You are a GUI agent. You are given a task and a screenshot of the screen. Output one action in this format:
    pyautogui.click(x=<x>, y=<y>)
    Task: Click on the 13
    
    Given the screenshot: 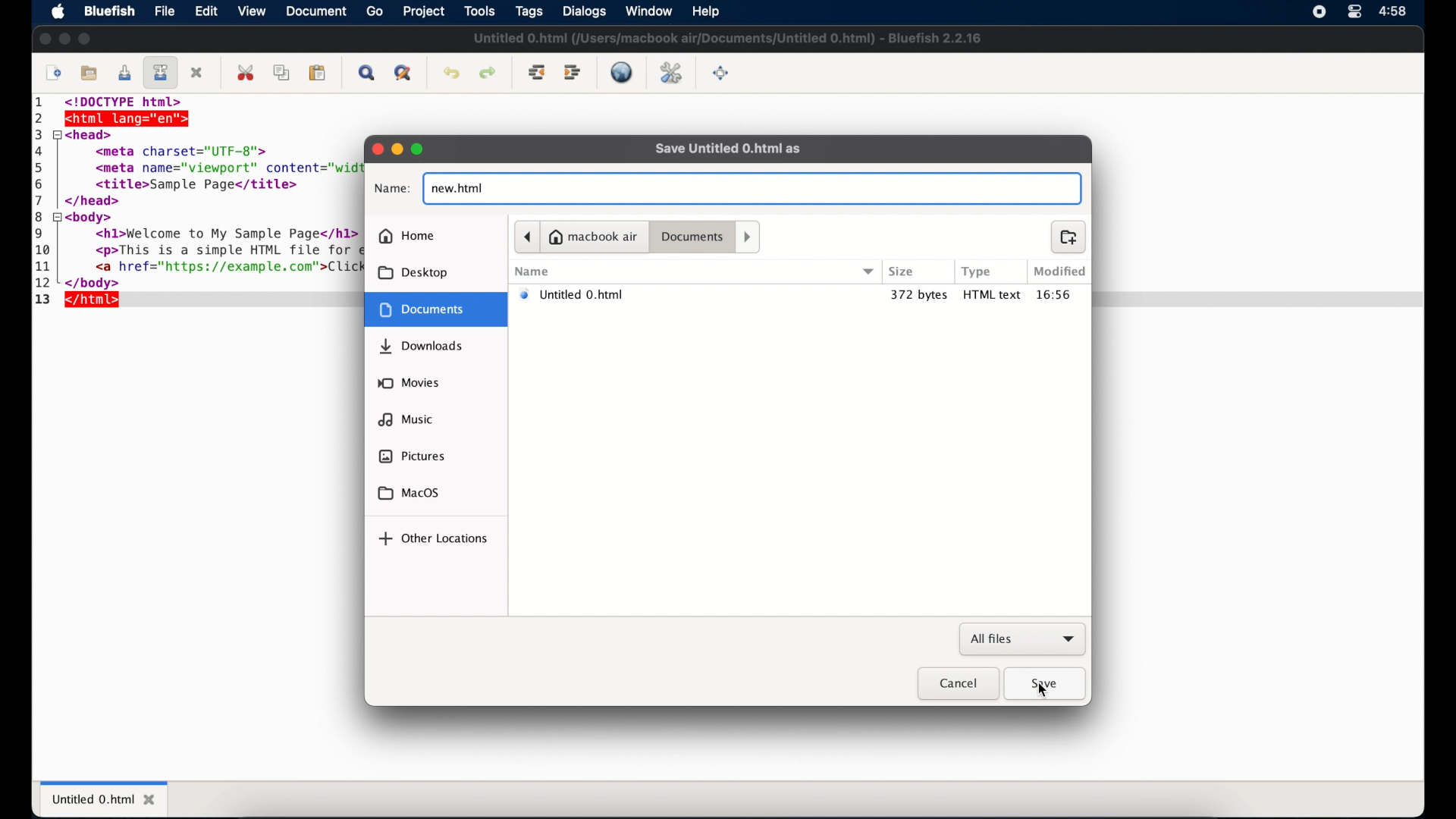 What is the action you would take?
    pyautogui.click(x=42, y=300)
    